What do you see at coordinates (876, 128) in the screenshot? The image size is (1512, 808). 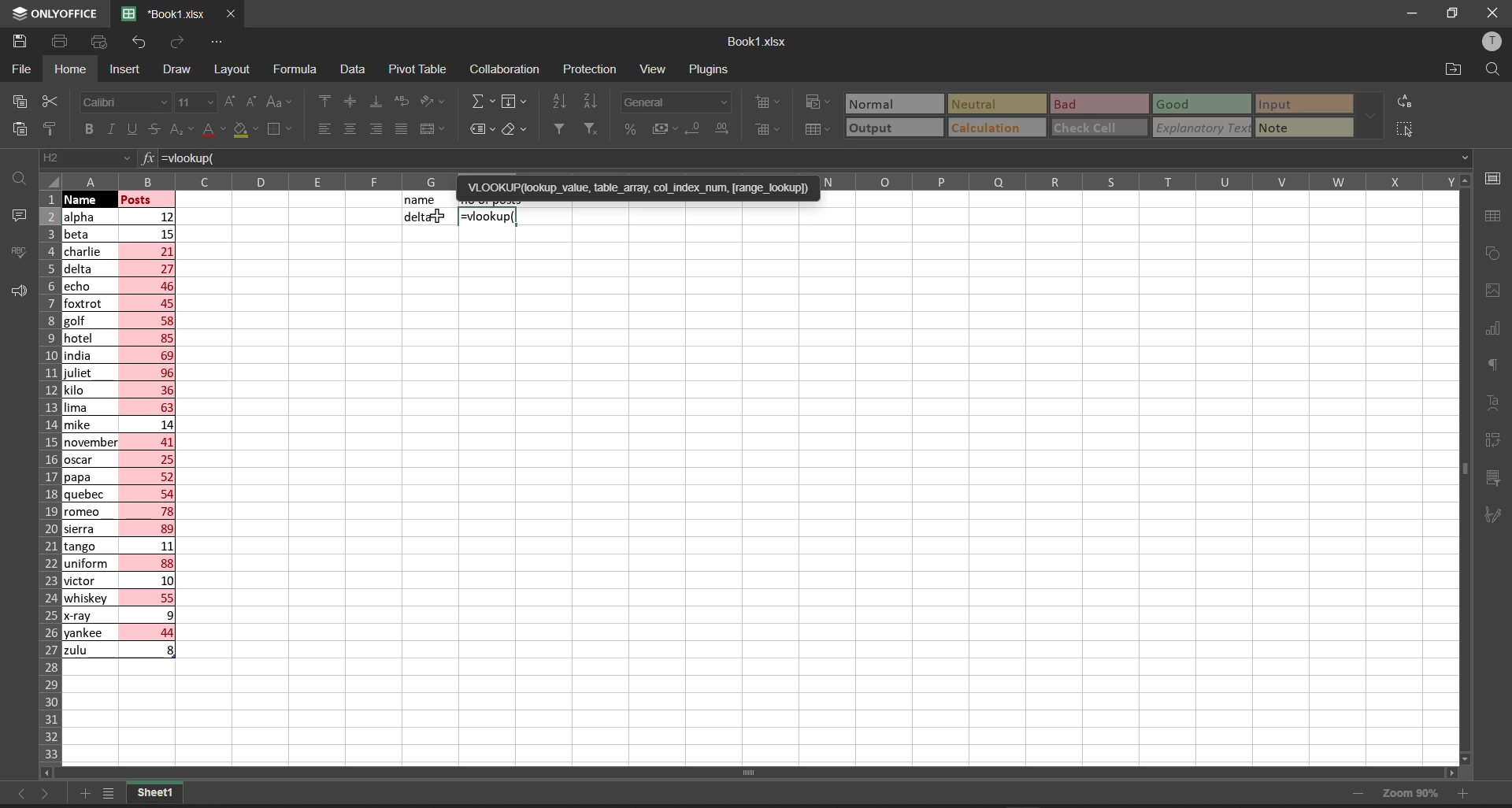 I see `output` at bounding box center [876, 128].